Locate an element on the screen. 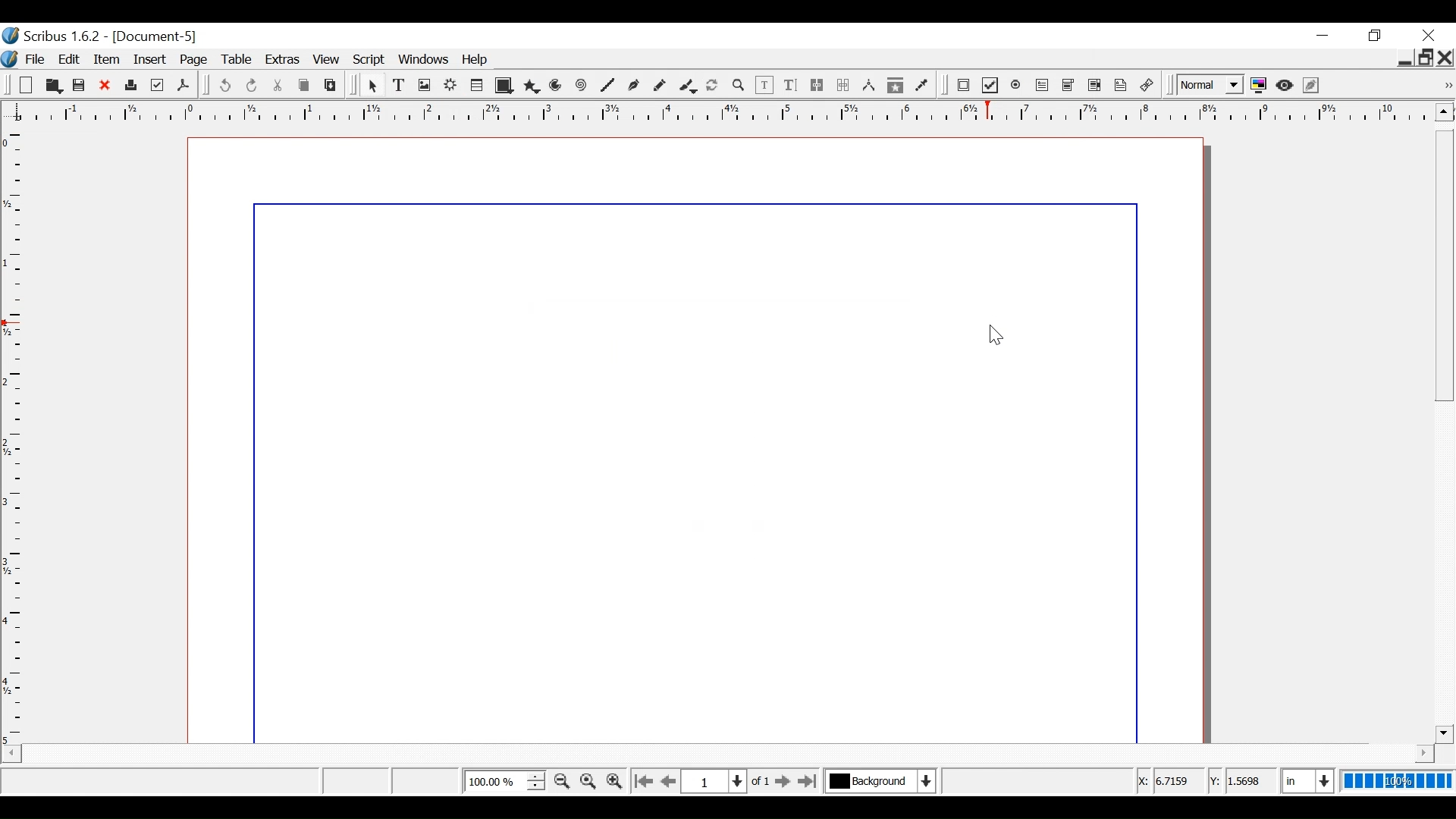 This screenshot has width=1456, height=819. Windows is located at coordinates (424, 60).